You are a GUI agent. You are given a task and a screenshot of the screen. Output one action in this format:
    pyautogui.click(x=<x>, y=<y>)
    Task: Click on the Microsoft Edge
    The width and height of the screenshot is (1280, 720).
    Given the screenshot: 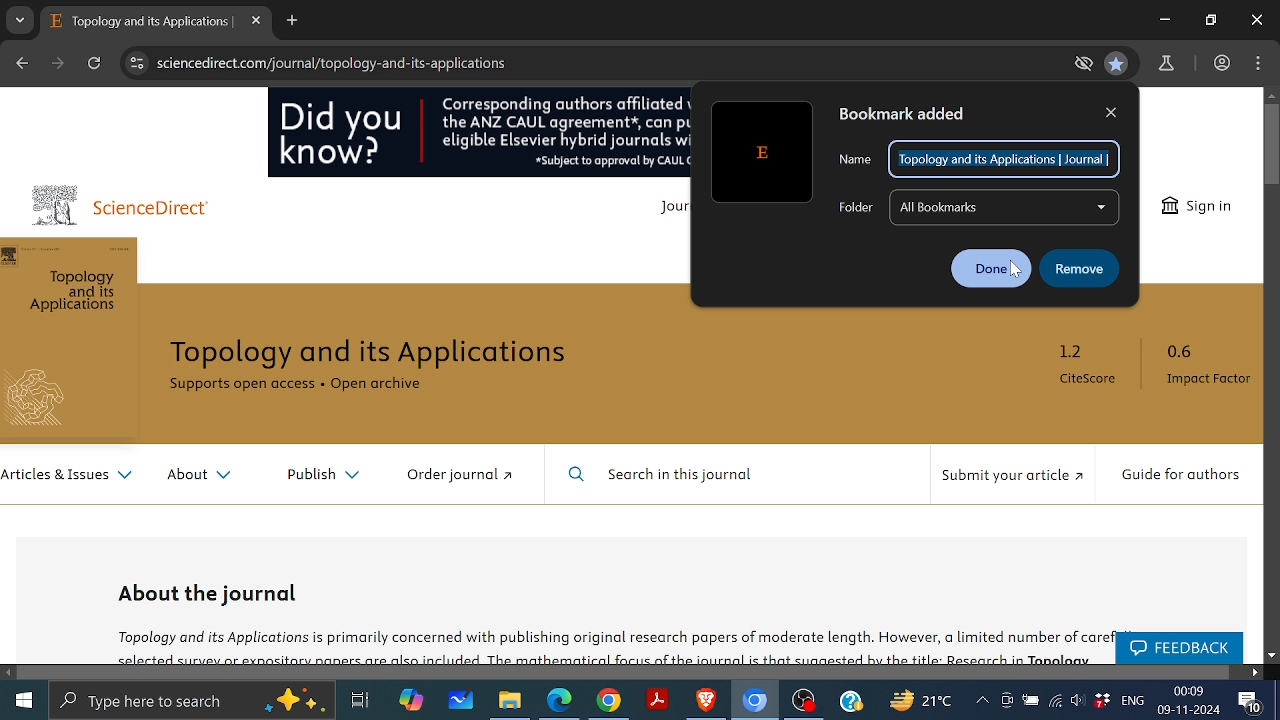 What is the action you would take?
    pyautogui.click(x=560, y=700)
    